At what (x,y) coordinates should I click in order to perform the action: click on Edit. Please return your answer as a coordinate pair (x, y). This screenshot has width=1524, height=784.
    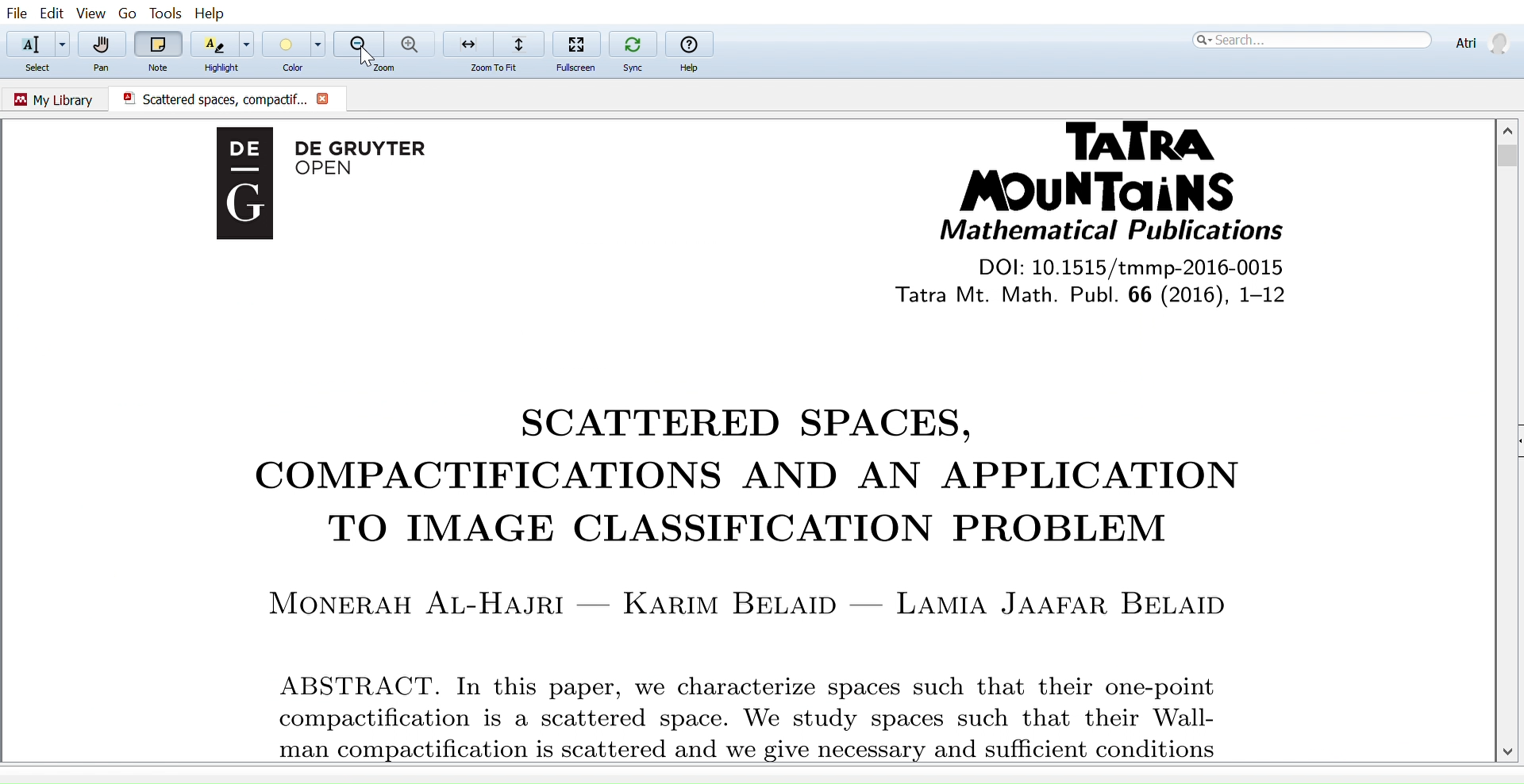
    Looking at the image, I should click on (51, 13).